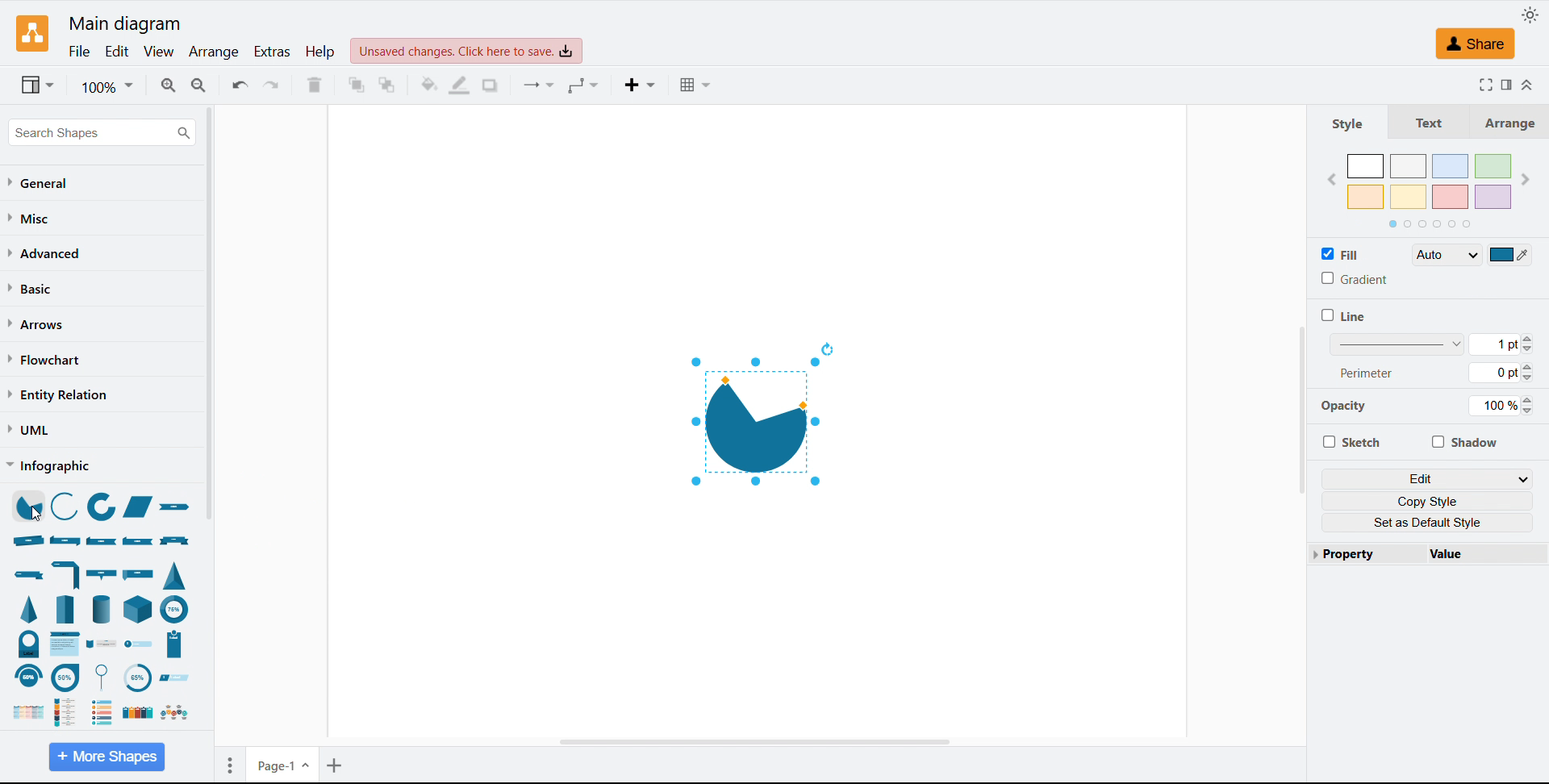  Describe the element at coordinates (136, 714) in the screenshot. I see `list` at that location.